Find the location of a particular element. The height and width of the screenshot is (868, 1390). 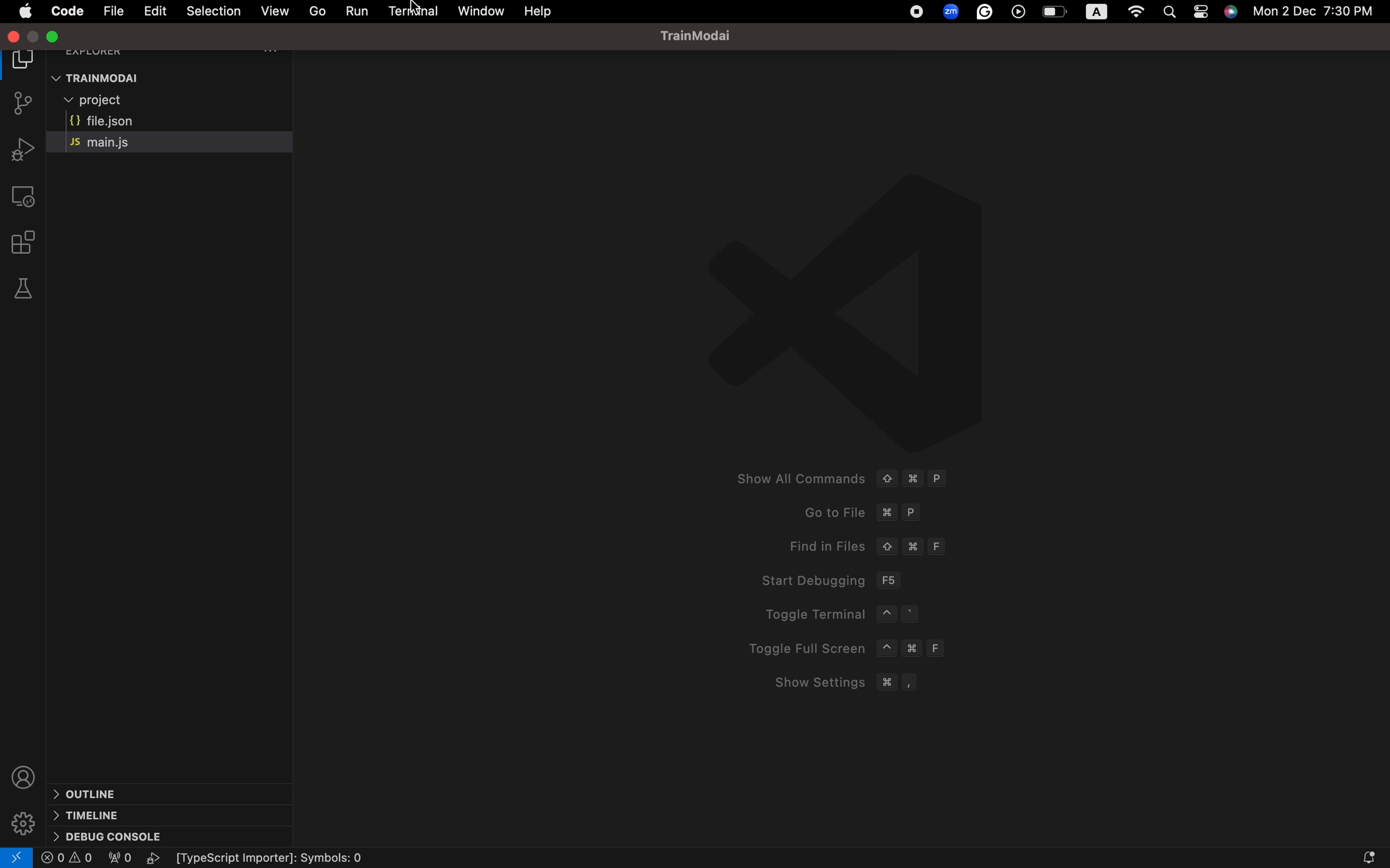

go to file is located at coordinates (318, 10).